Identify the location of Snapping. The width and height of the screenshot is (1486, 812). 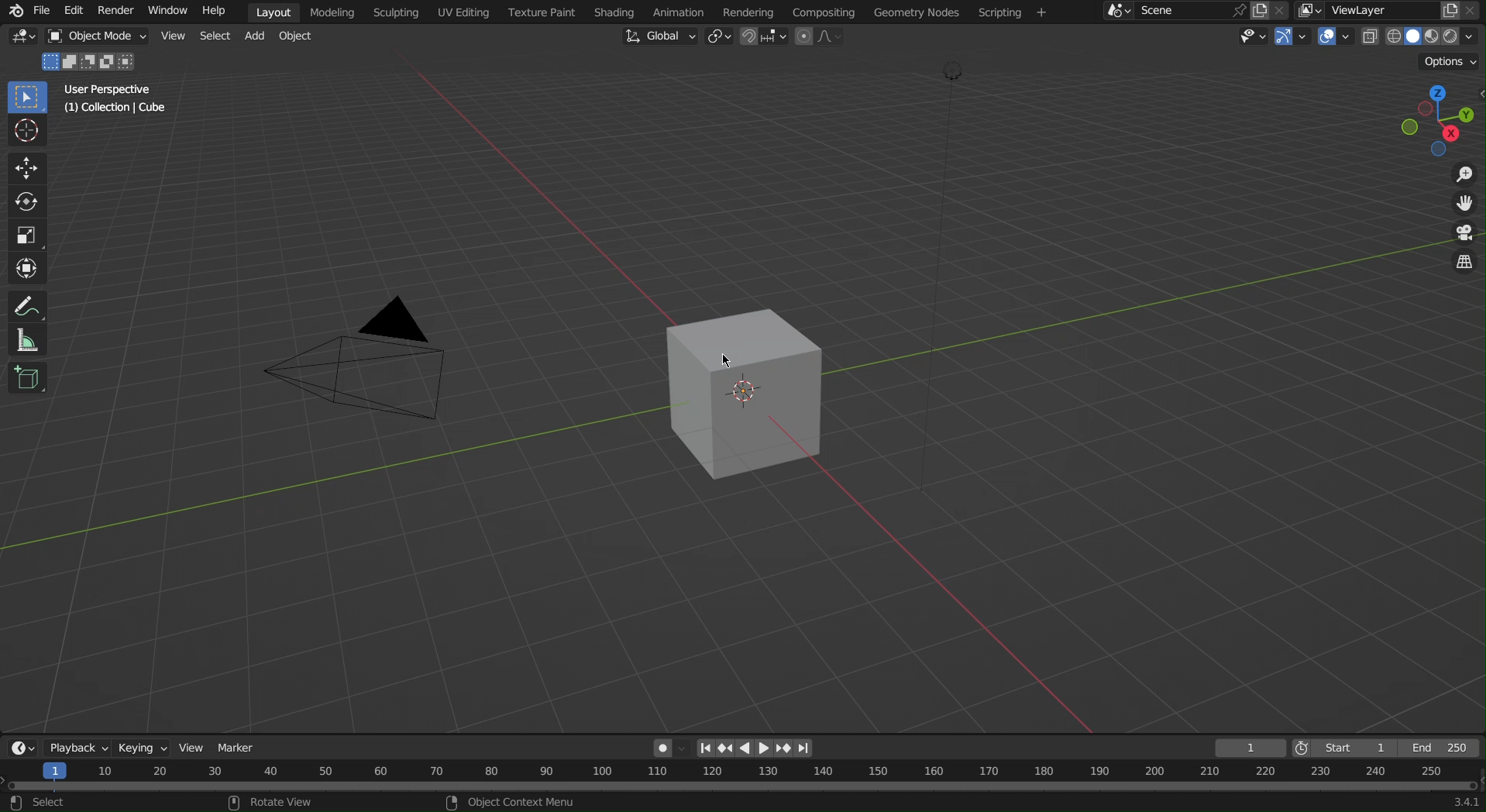
(764, 38).